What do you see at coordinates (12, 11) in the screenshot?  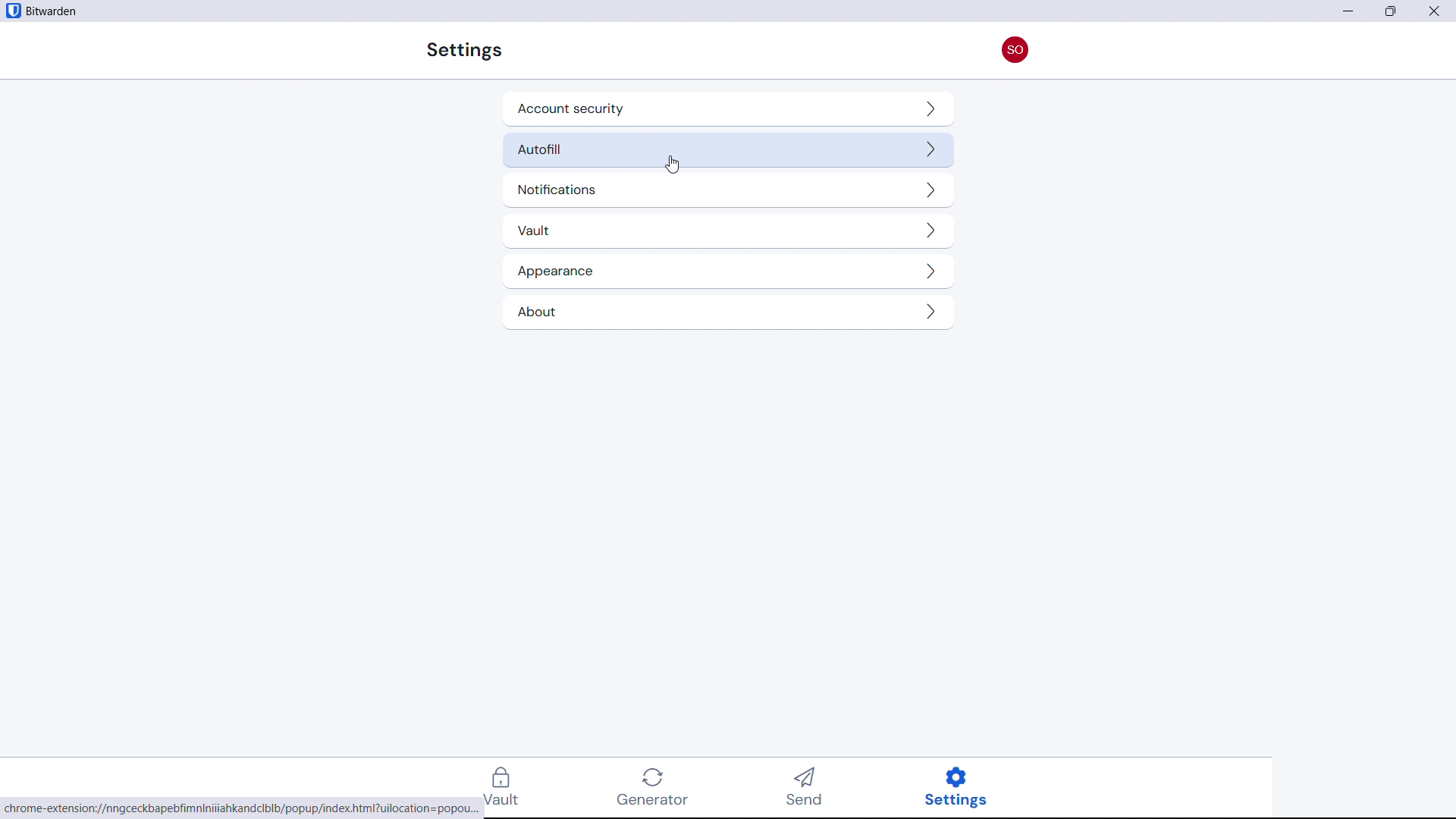 I see `logo` at bounding box center [12, 11].